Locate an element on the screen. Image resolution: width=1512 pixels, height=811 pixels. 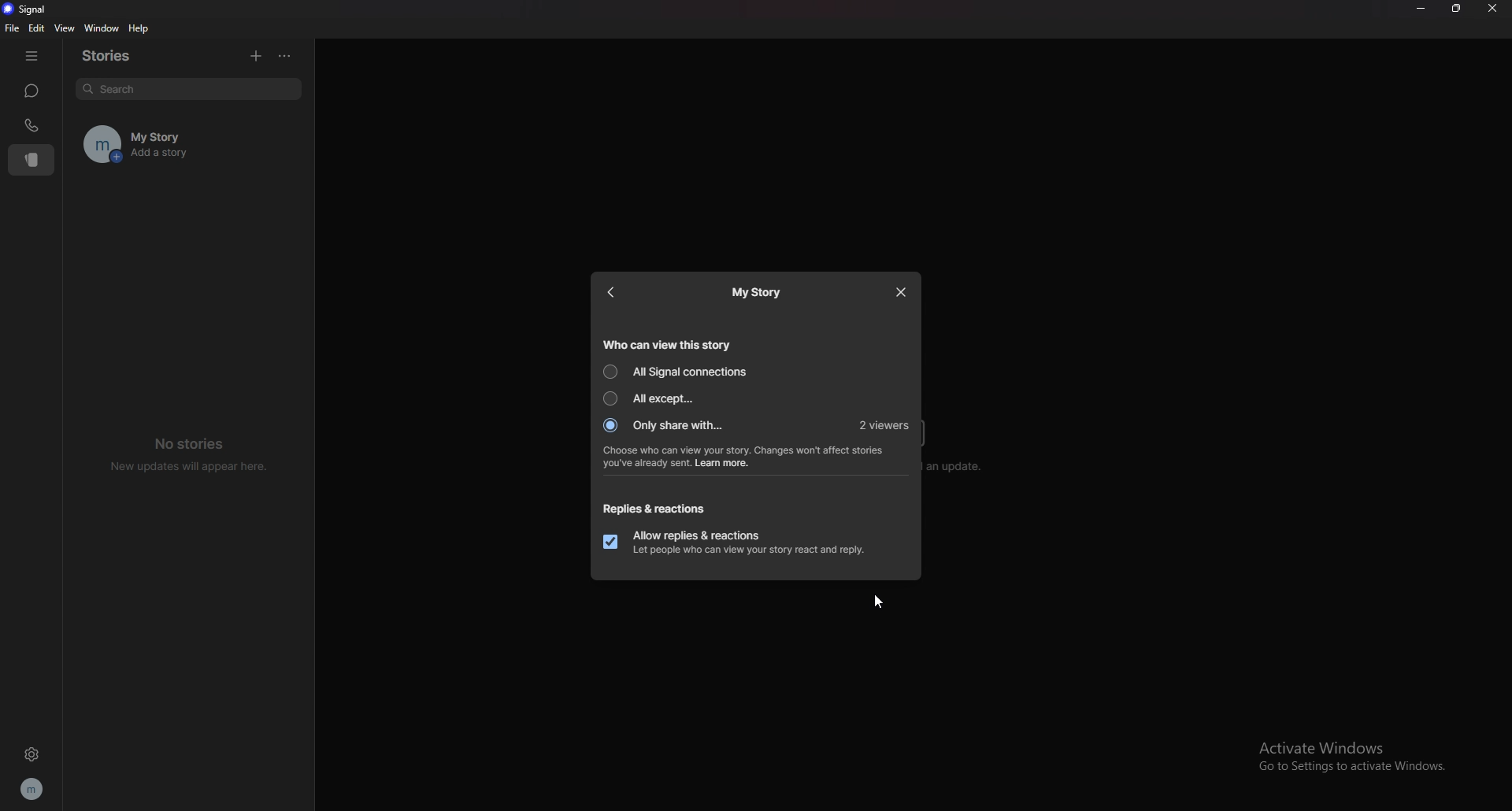
my story is located at coordinates (757, 293).